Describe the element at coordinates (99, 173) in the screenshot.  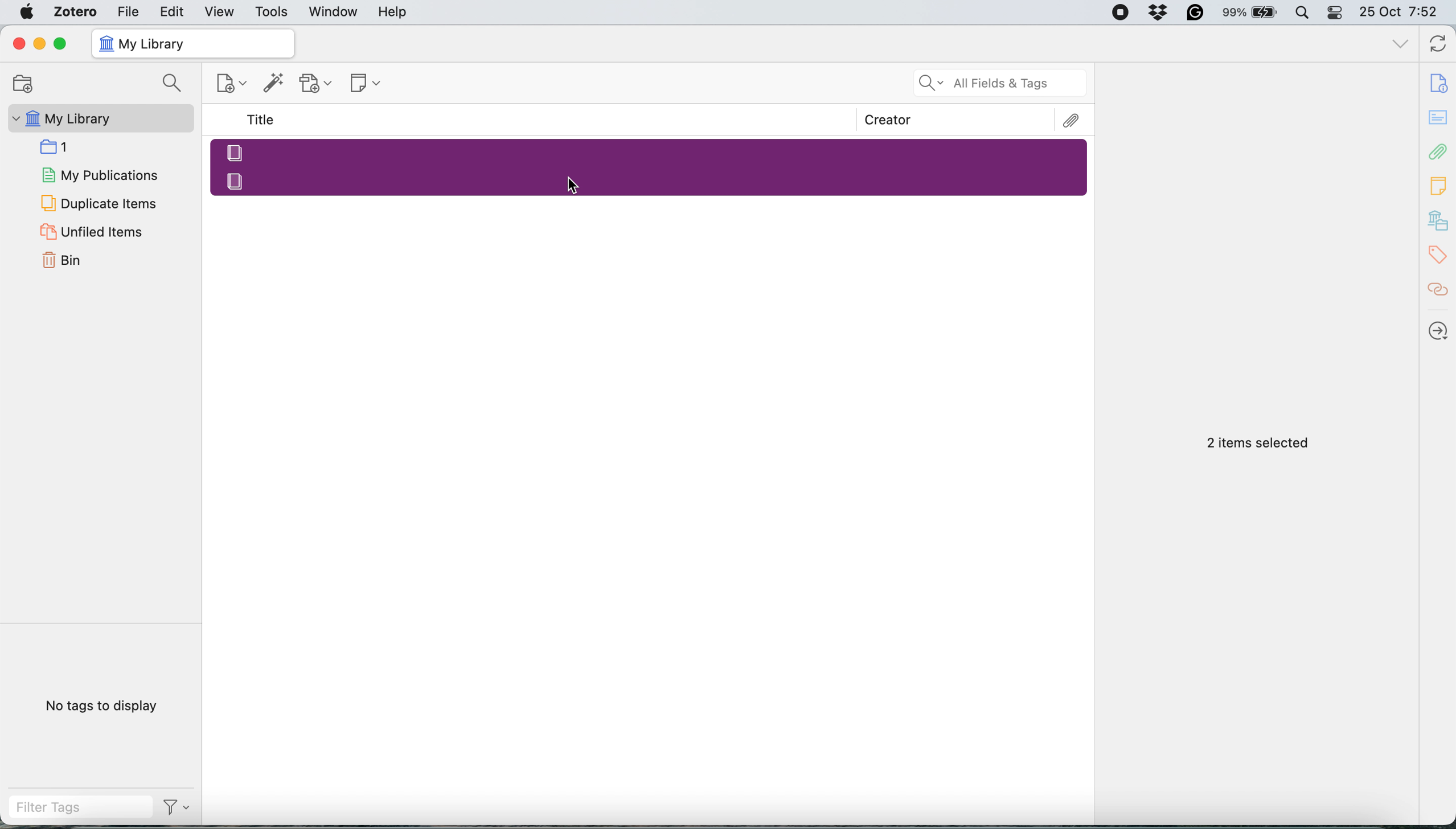
I see `My Publications` at that location.